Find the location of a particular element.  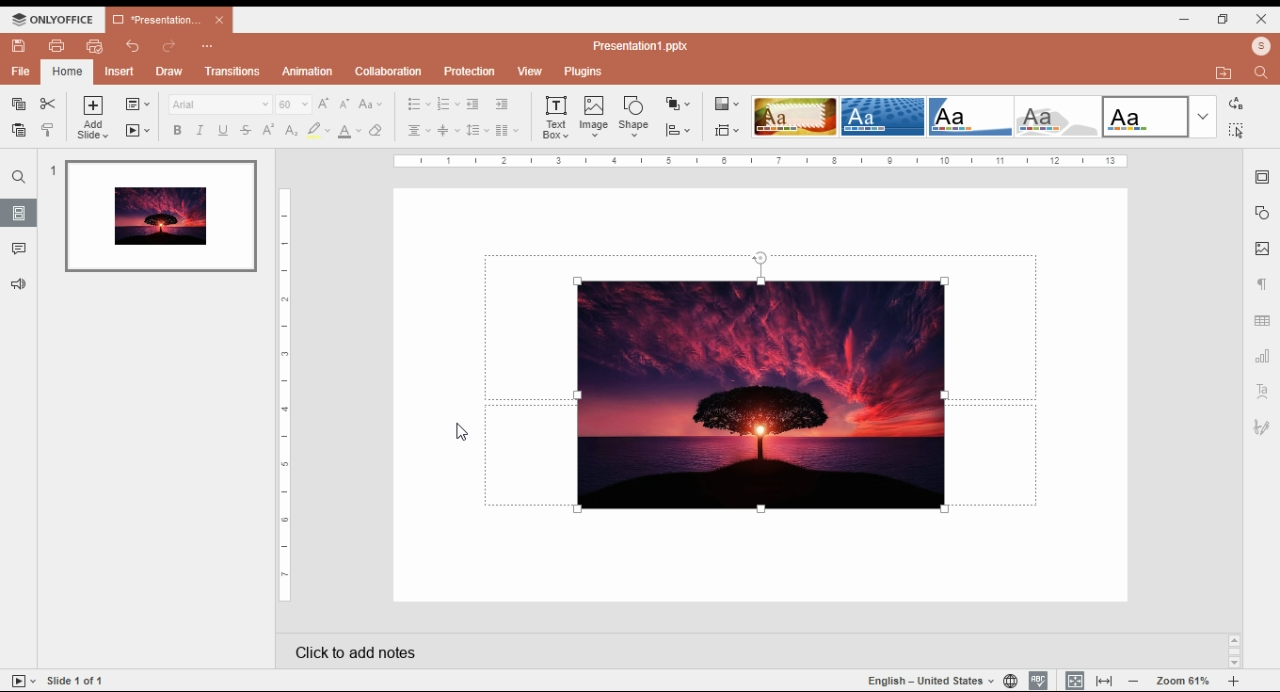

start slideshow is located at coordinates (140, 130).